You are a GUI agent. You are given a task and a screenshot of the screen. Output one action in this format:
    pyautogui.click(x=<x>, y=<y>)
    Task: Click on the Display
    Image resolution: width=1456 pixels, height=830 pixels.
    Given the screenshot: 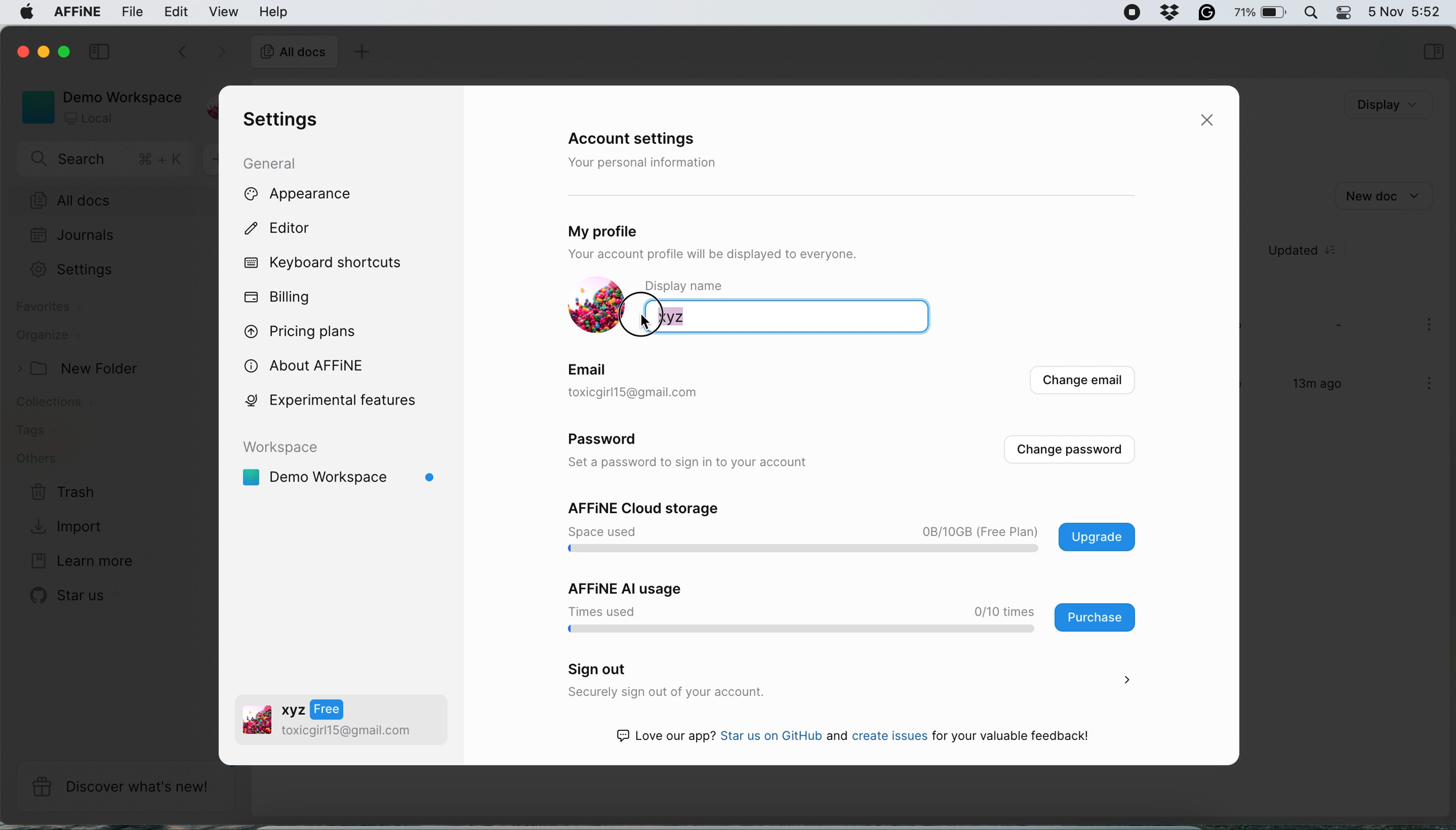 What is the action you would take?
    pyautogui.click(x=1370, y=105)
    